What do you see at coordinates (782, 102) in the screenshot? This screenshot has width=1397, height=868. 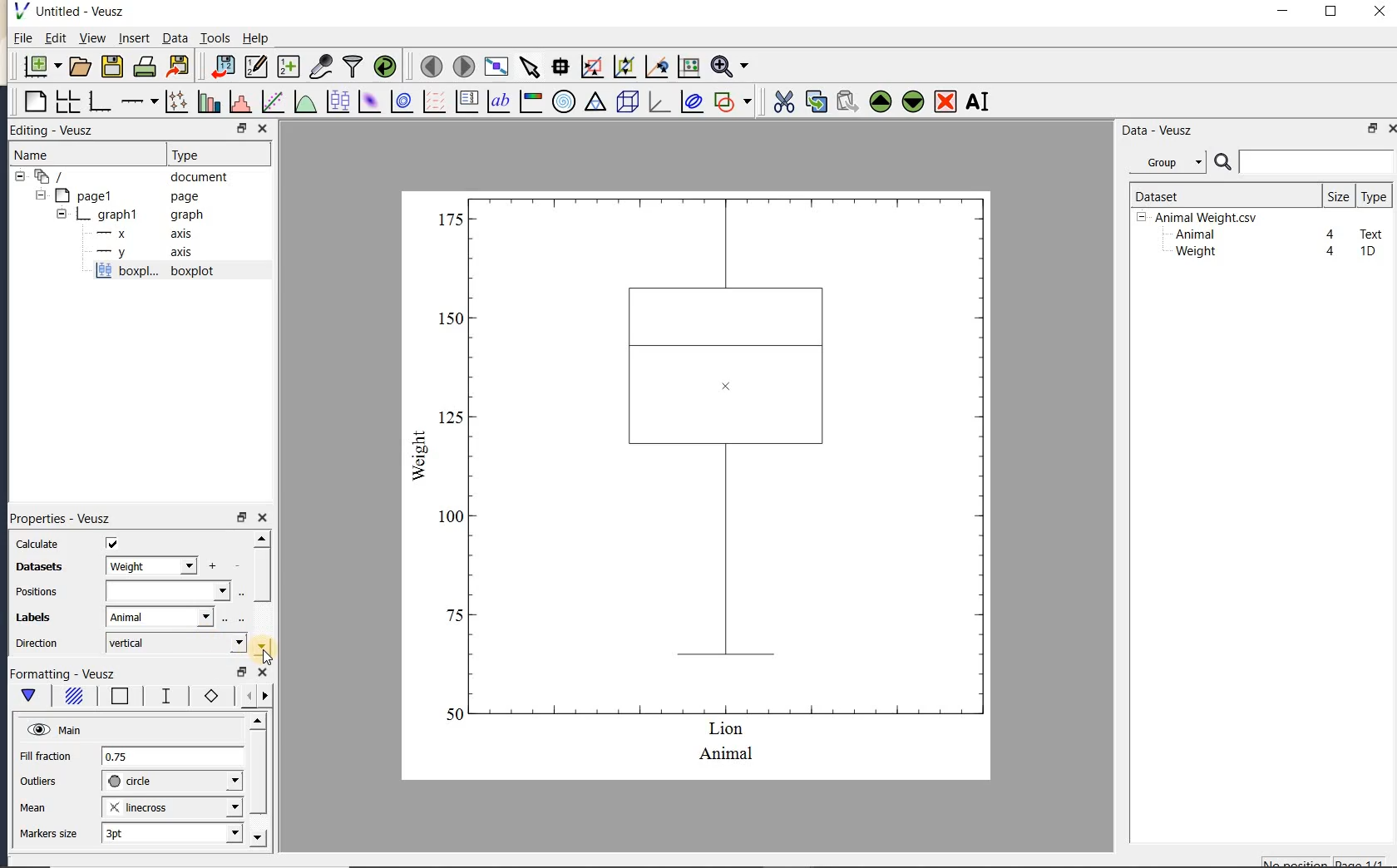 I see `cut the selected widget` at bounding box center [782, 102].